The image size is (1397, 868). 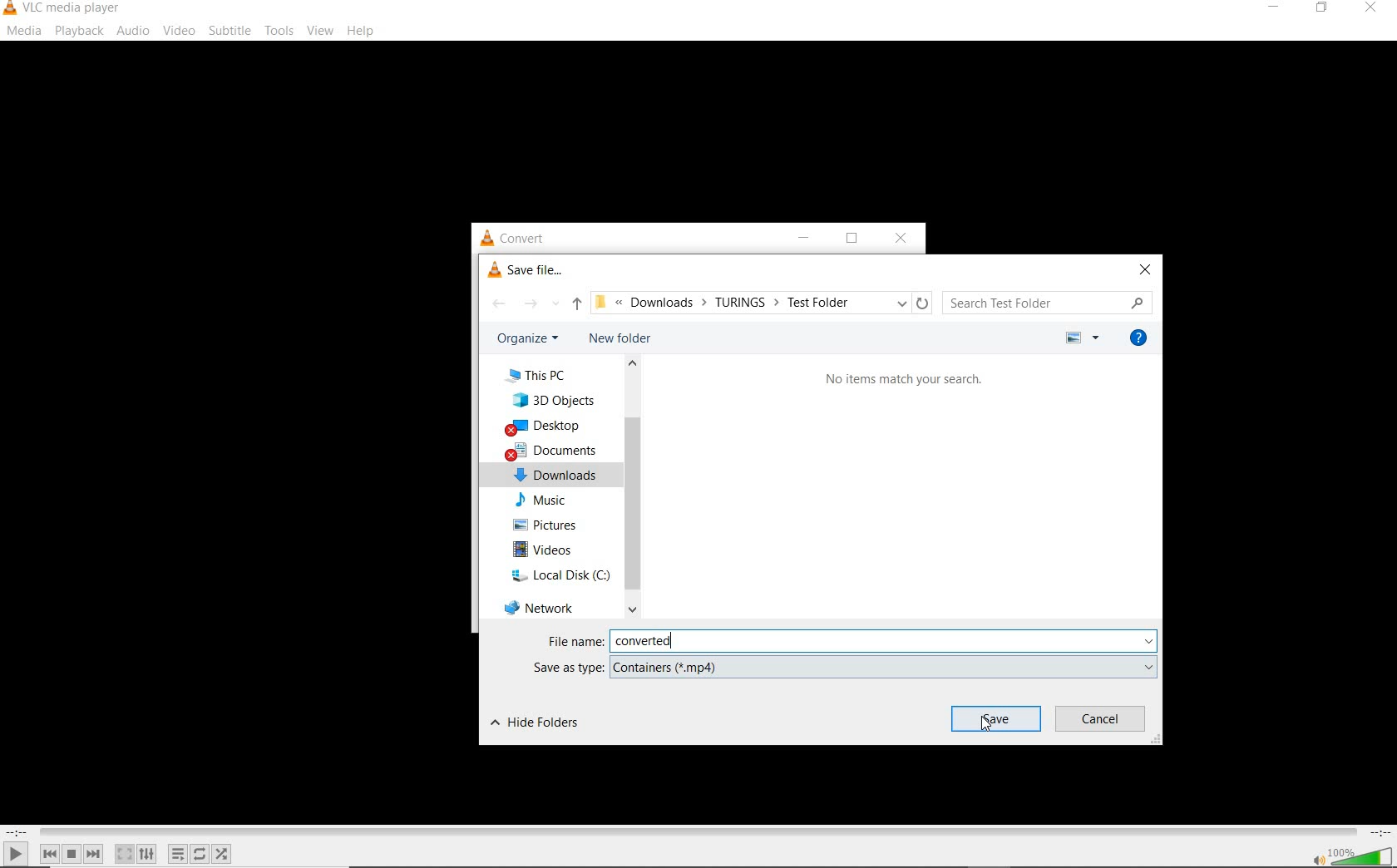 What do you see at coordinates (851, 238) in the screenshot?
I see `restore down` at bounding box center [851, 238].